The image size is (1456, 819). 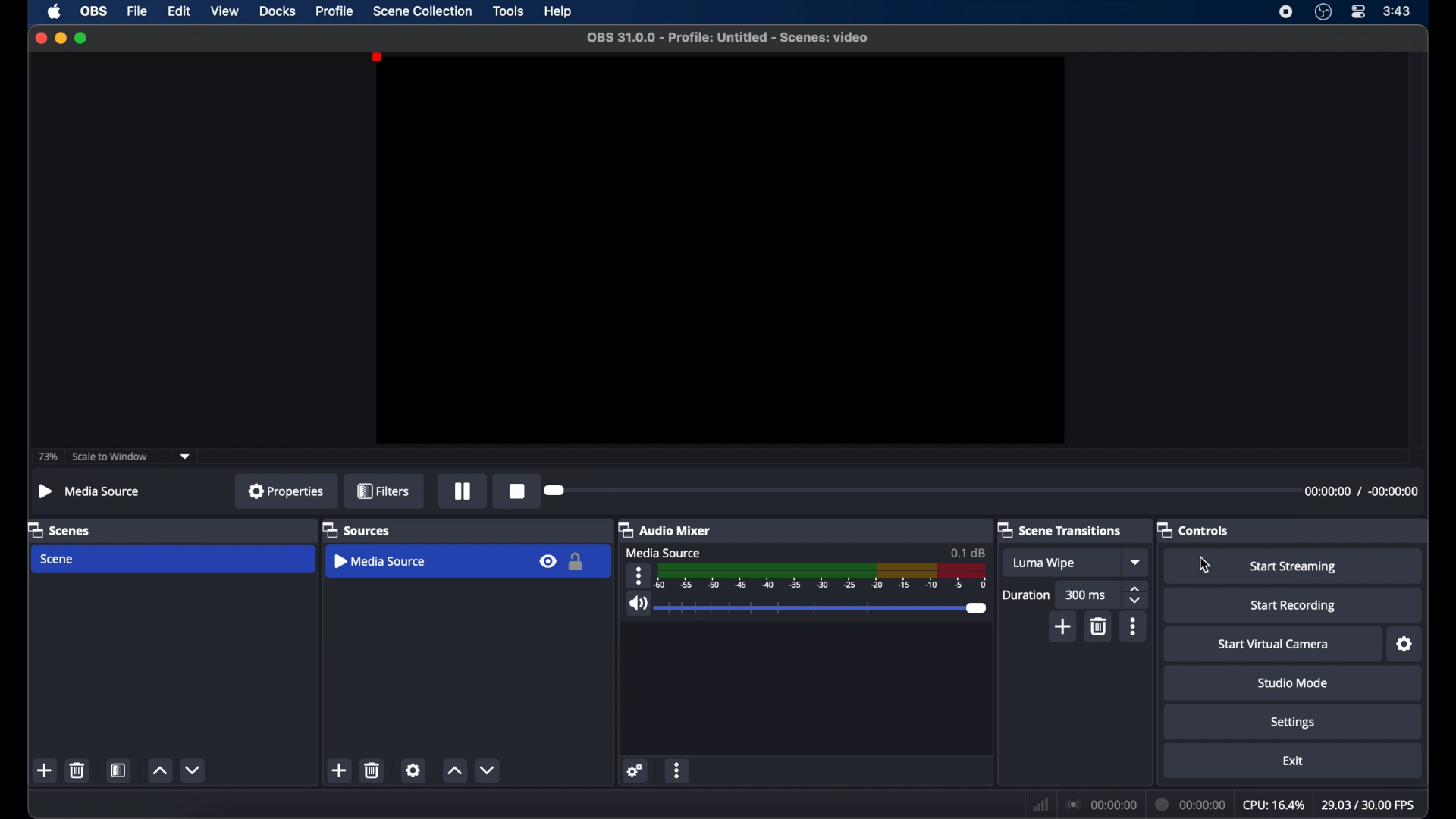 What do you see at coordinates (138, 11) in the screenshot?
I see `file` at bounding box center [138, 11].